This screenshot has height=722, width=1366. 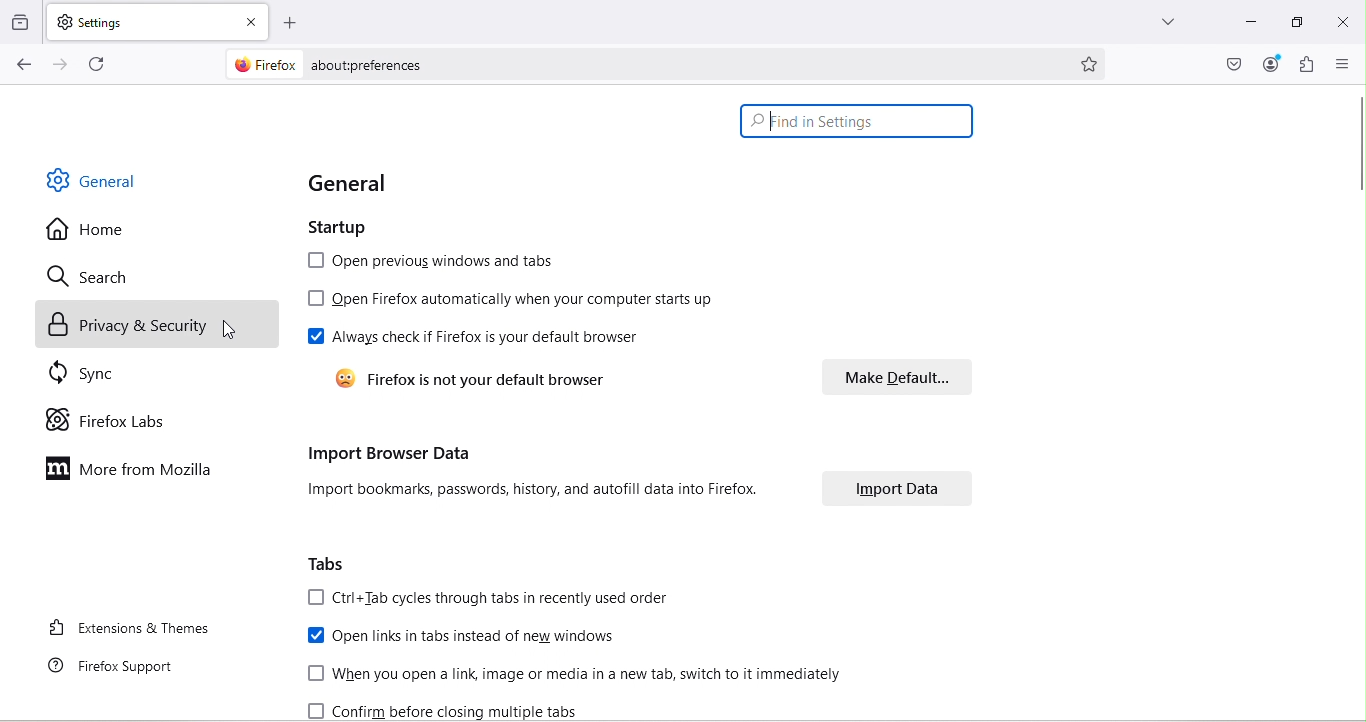 I want to click on More from Mozilla, so click(x=132, y=470).